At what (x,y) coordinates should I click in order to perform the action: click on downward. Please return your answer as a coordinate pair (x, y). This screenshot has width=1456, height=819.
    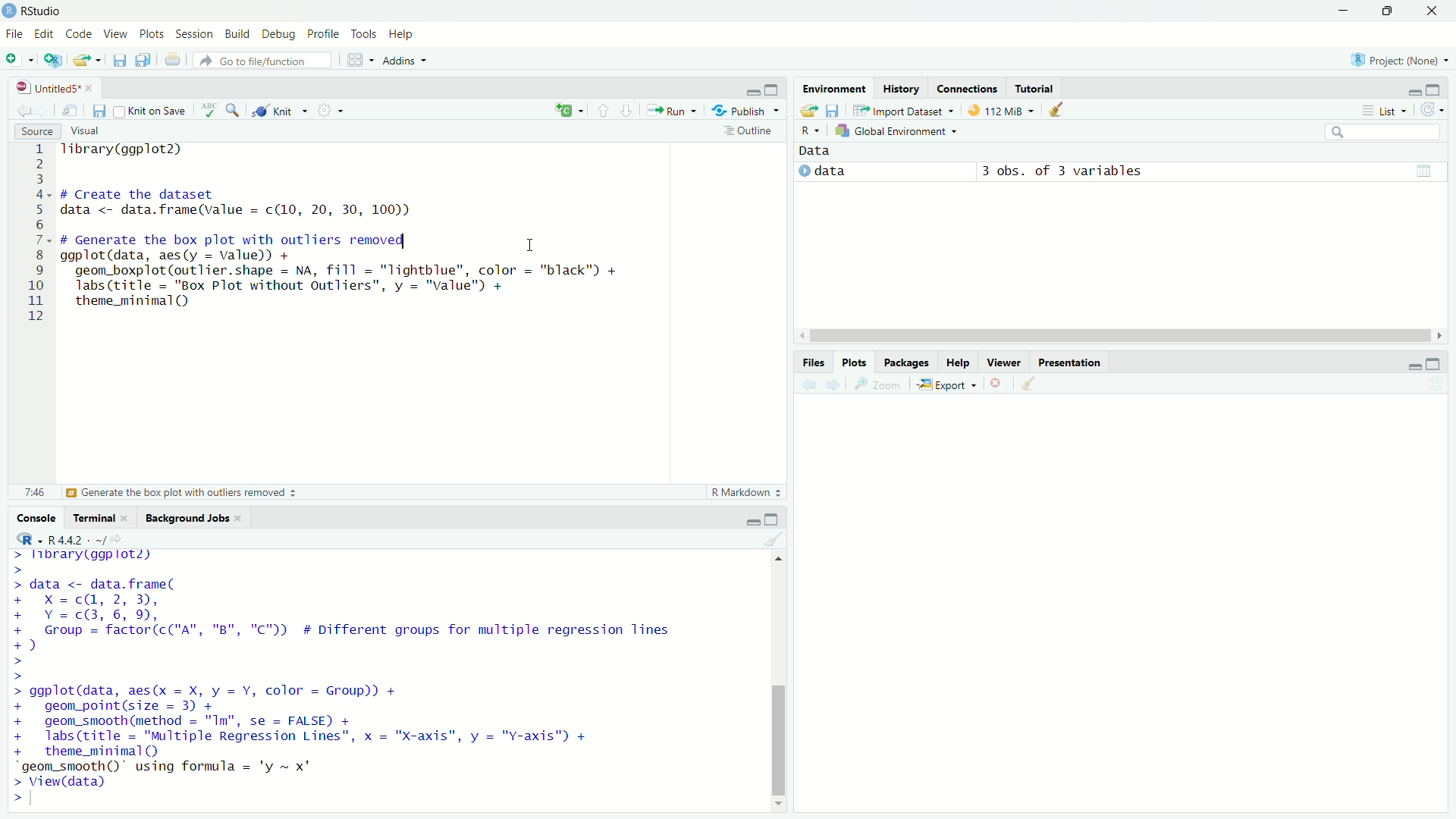
    Looking at the image, I should click on (631, 111).